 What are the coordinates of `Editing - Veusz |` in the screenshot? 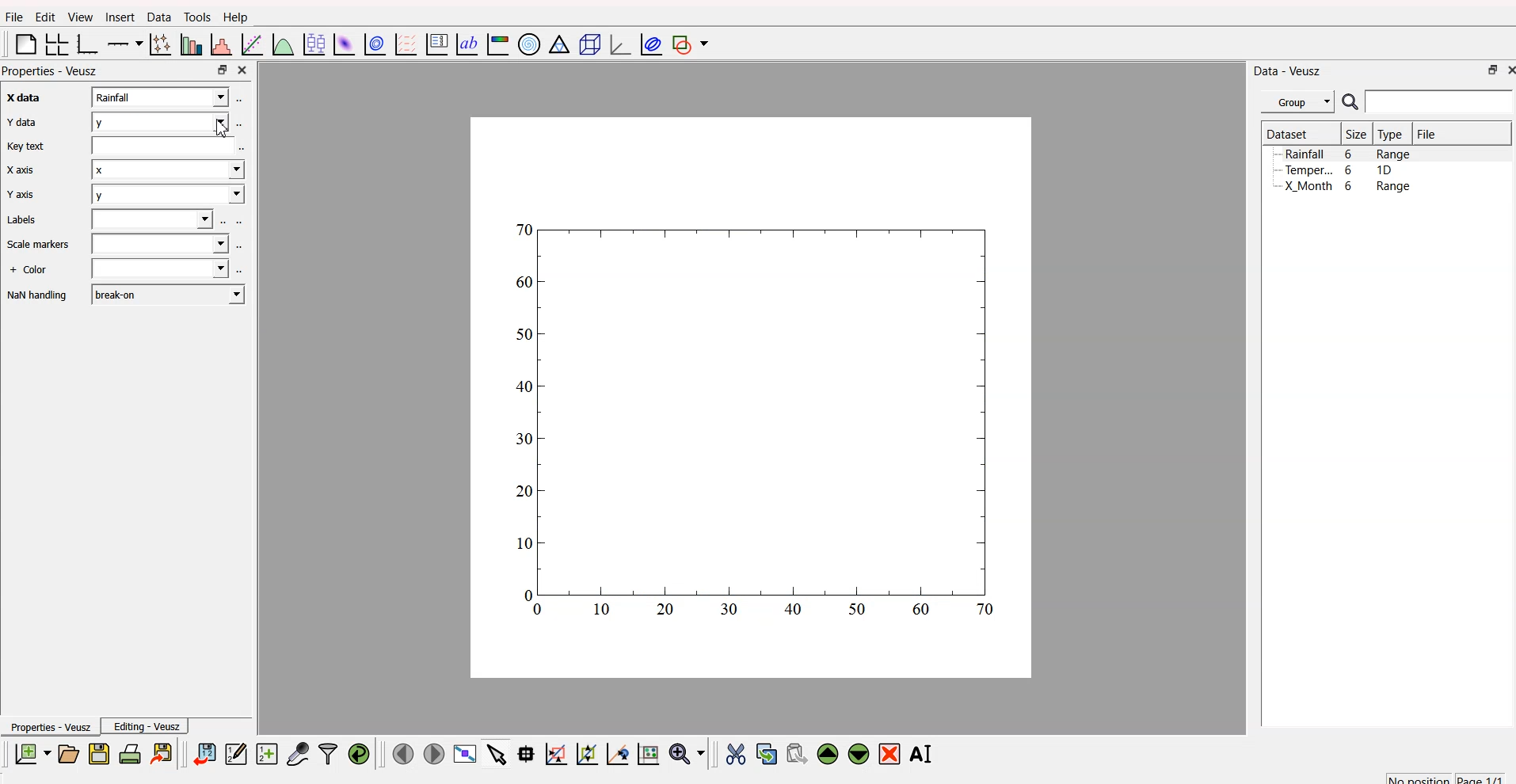 It's located at (148, 726).